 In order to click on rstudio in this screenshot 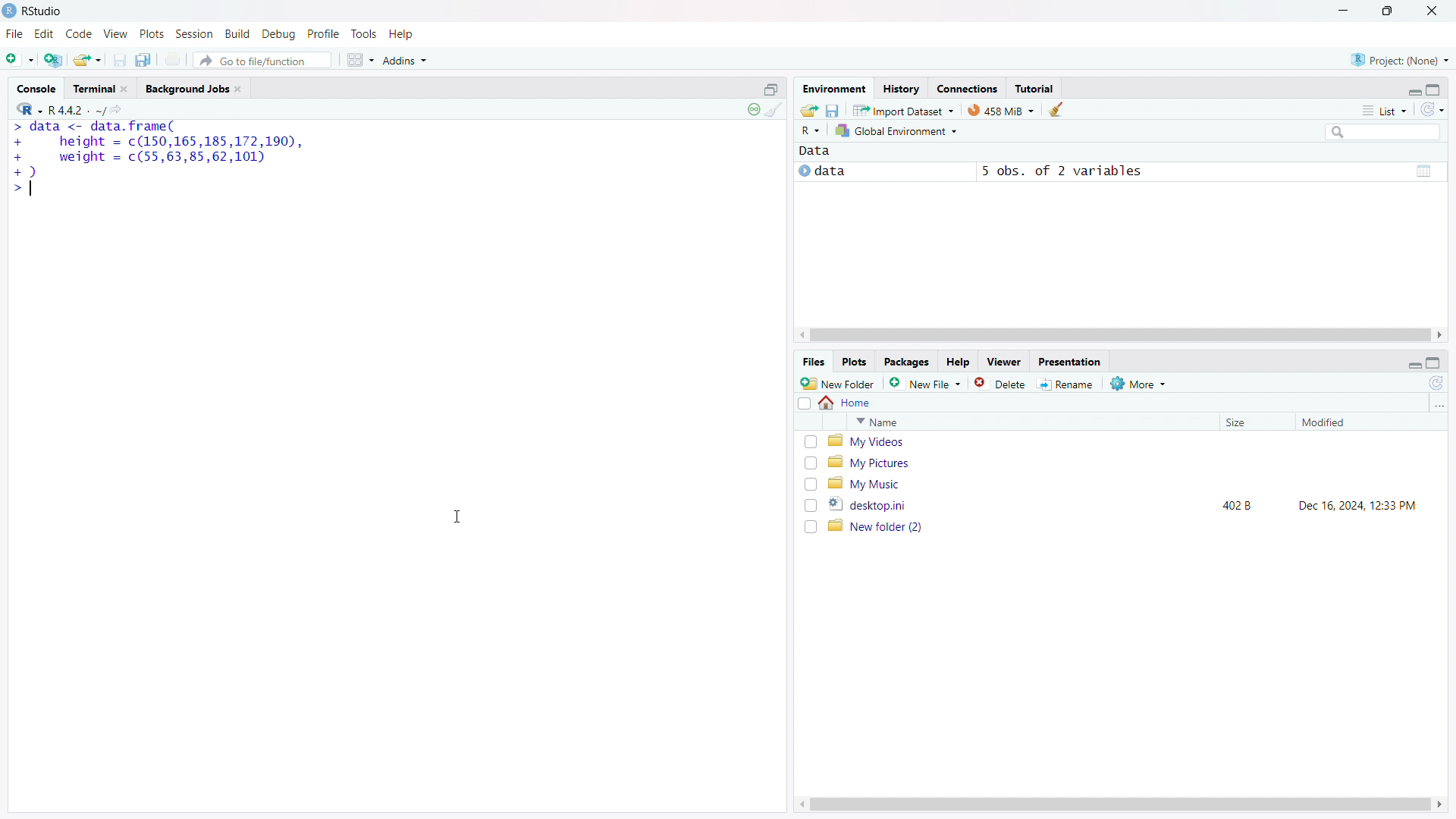, I will do `click(43, 11)`.